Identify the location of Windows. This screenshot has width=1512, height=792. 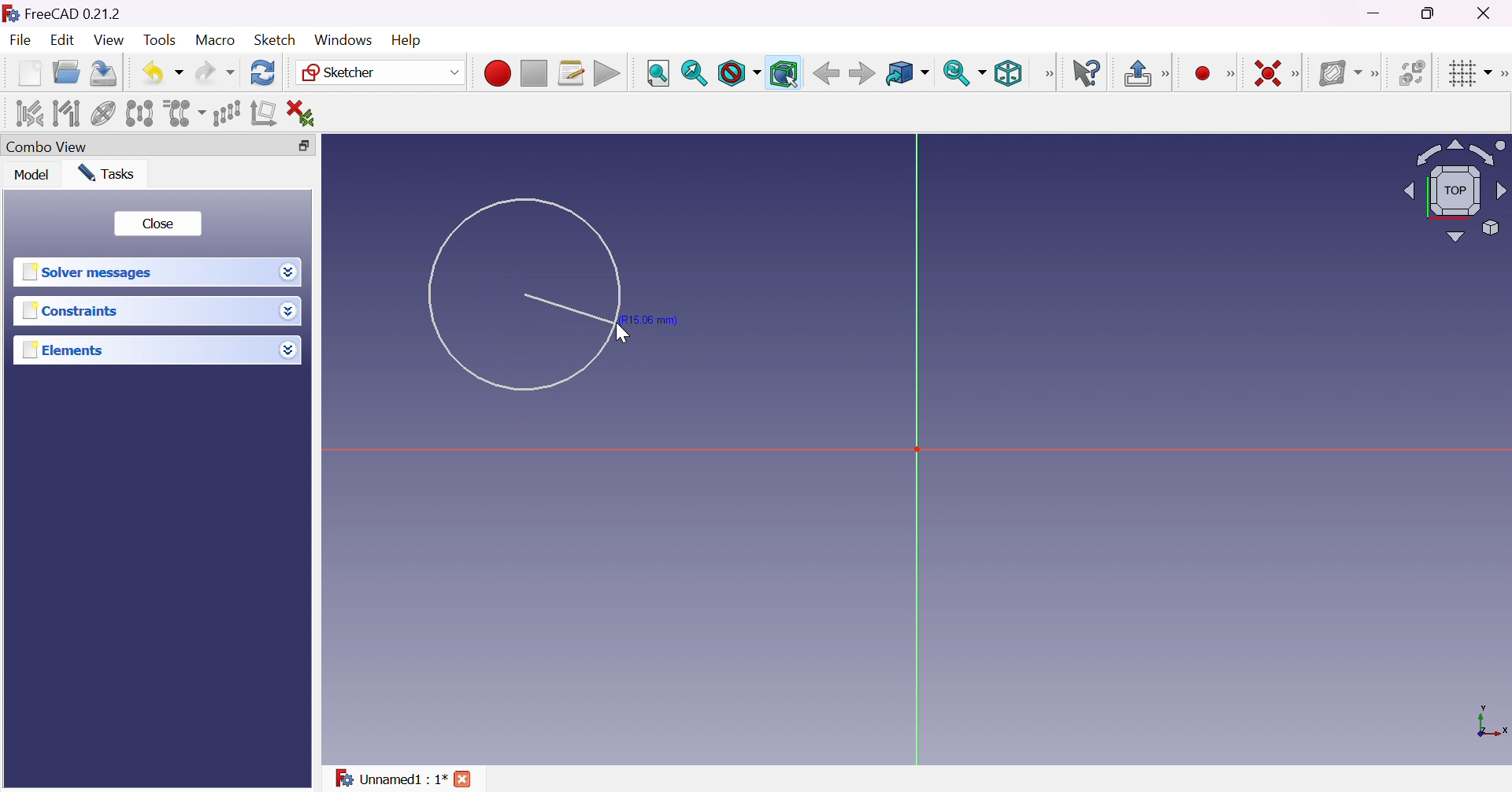
(342, 39).